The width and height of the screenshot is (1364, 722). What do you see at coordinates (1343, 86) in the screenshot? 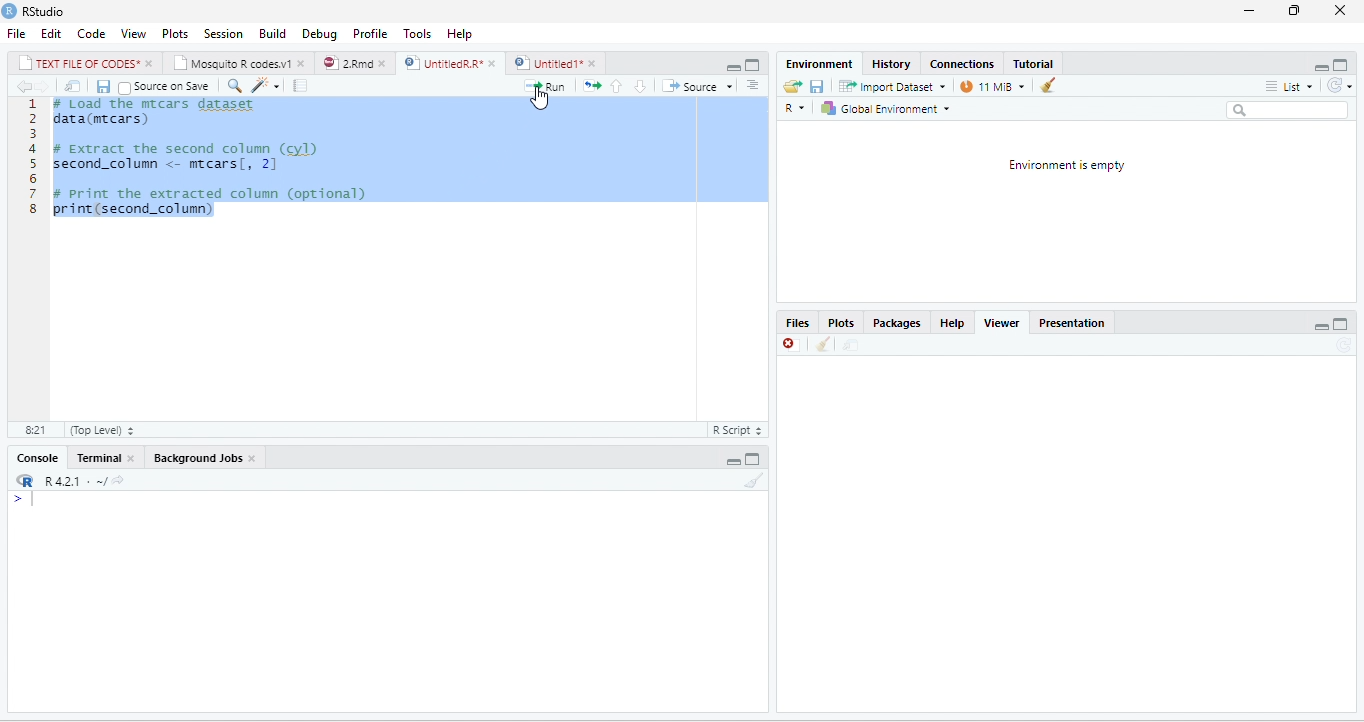
I see `refresh` at bounding box center [1343, 86].